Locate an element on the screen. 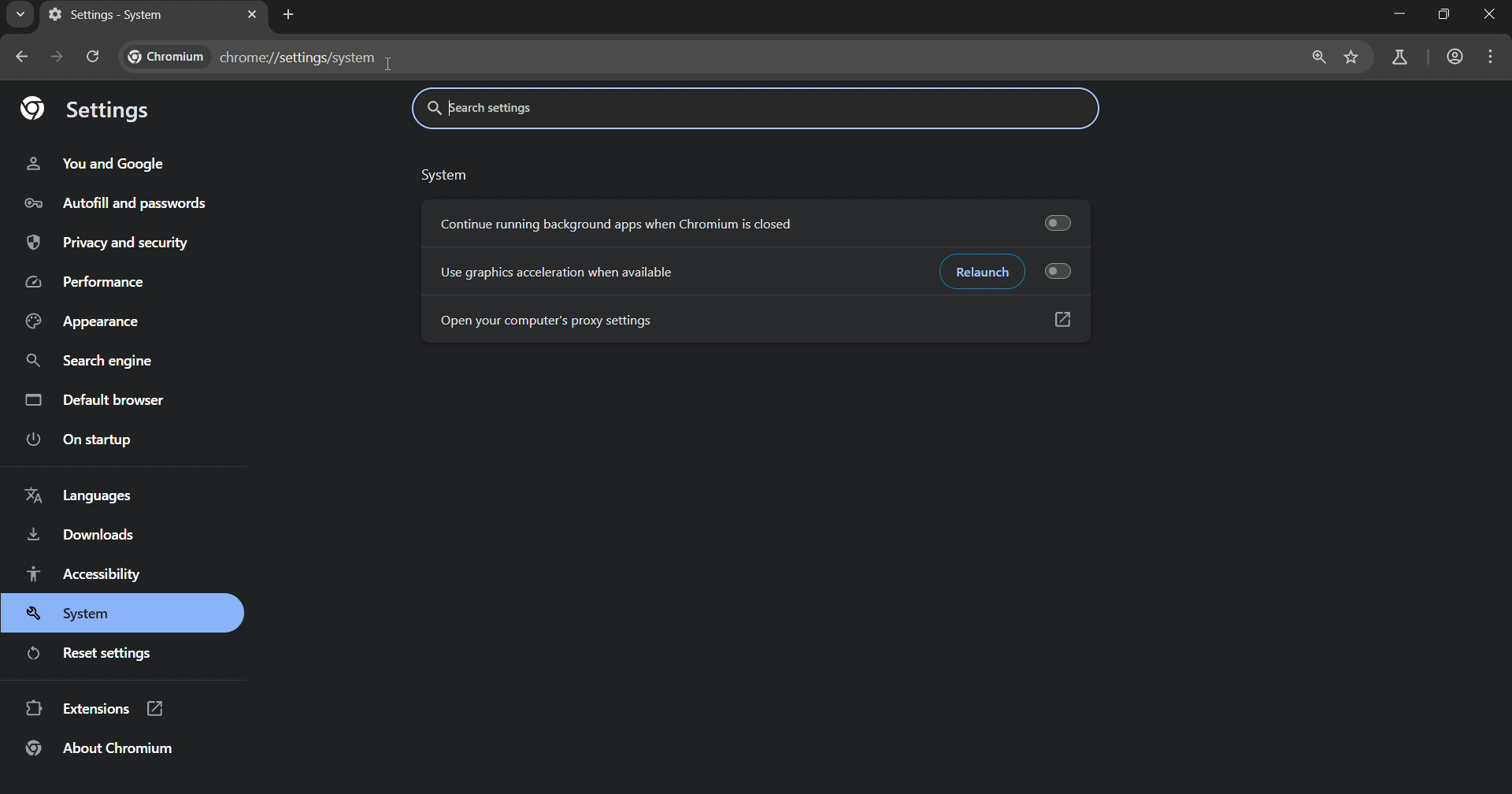 Image resolution: width=1512 pixels, height=794 pixels. search settings is located at coordinates (615, 109).